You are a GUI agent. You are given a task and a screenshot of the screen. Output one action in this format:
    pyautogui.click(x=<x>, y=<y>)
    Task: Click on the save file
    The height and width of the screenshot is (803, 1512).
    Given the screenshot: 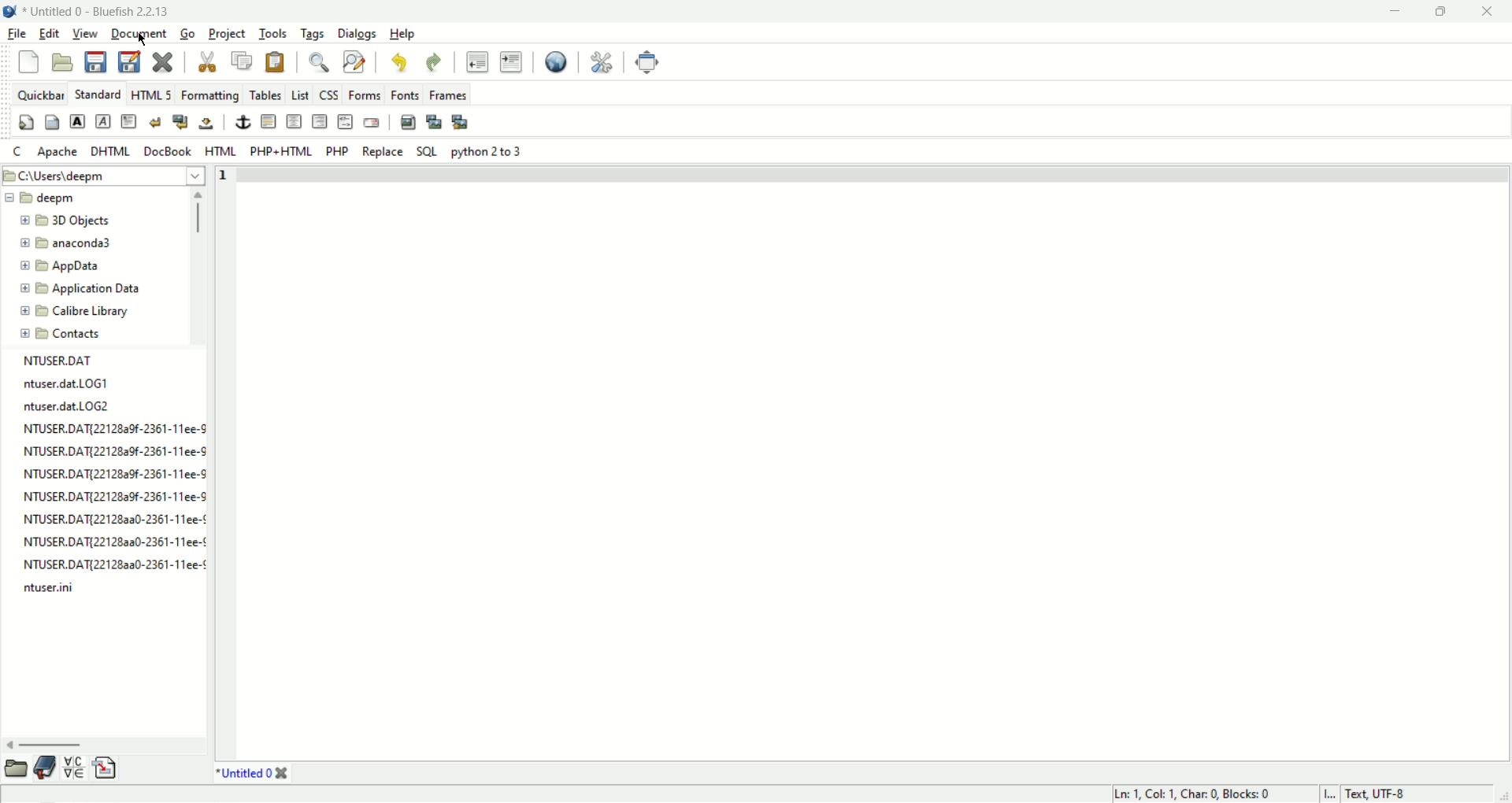 What is the action you would take?
    pyautogui.click(x=97, y=63)
    